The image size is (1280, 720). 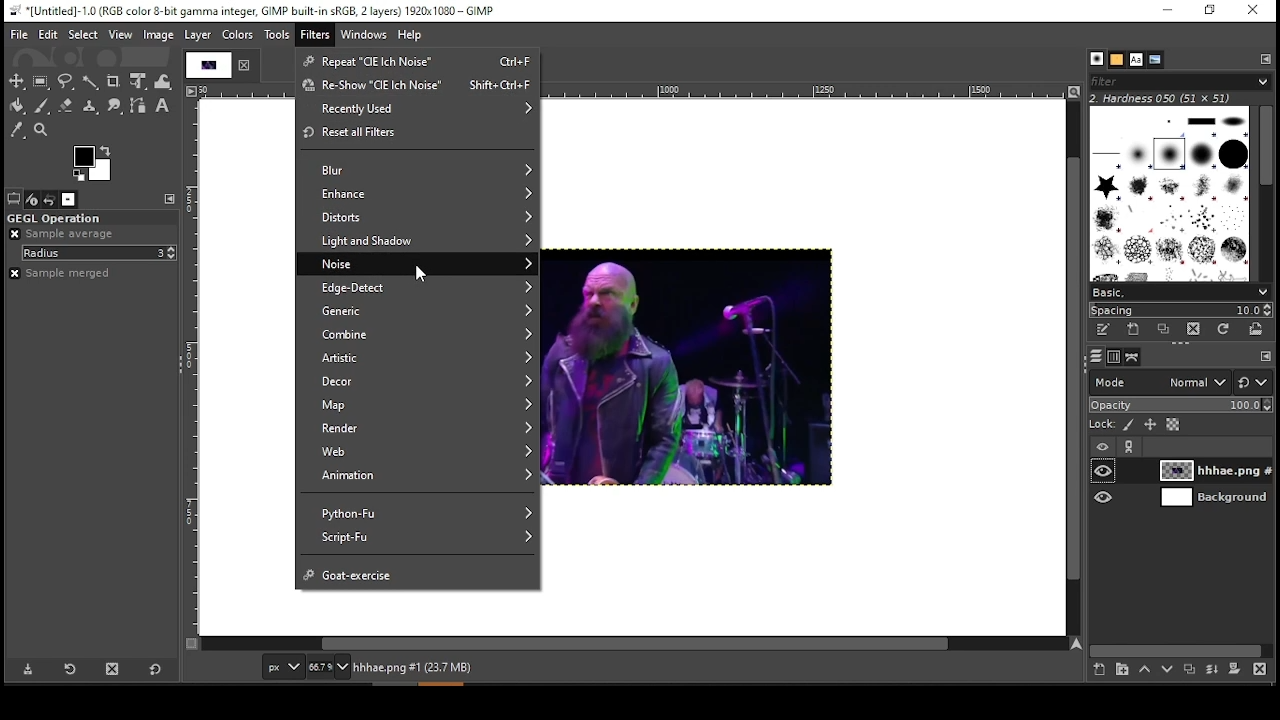 I want to click on duplicate this brush, so click(x=1166, y=330).